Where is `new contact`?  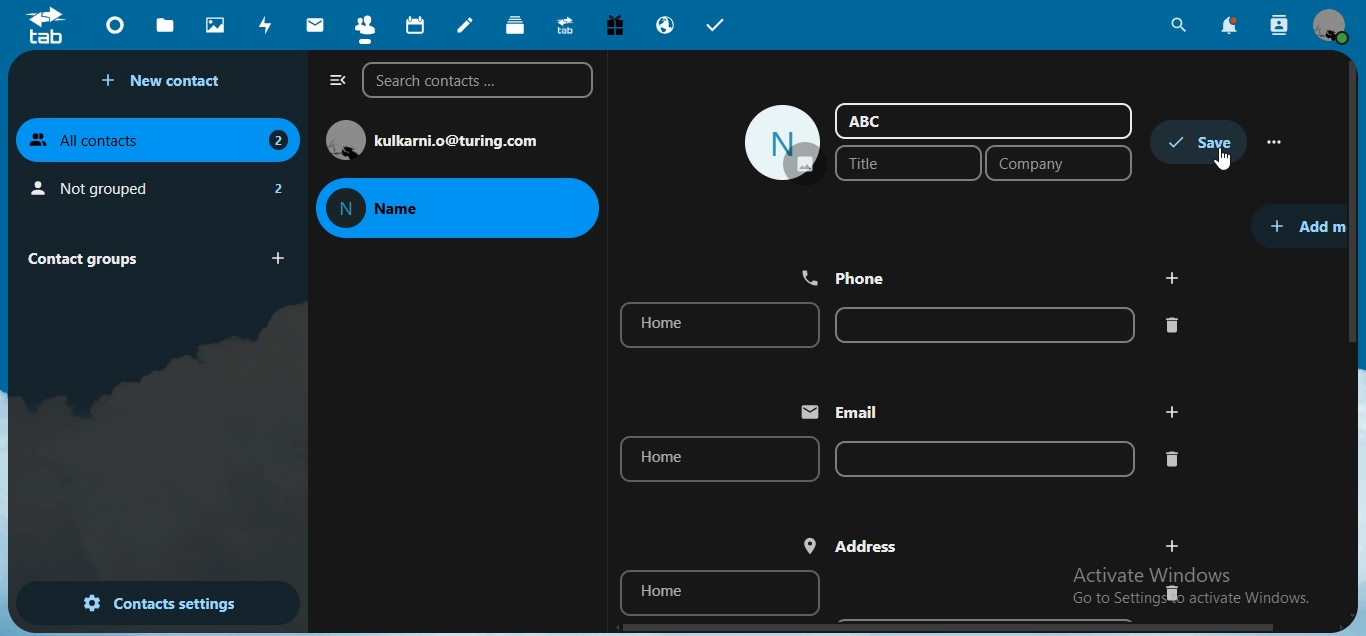
new contact is located at coordinates (165, 81).